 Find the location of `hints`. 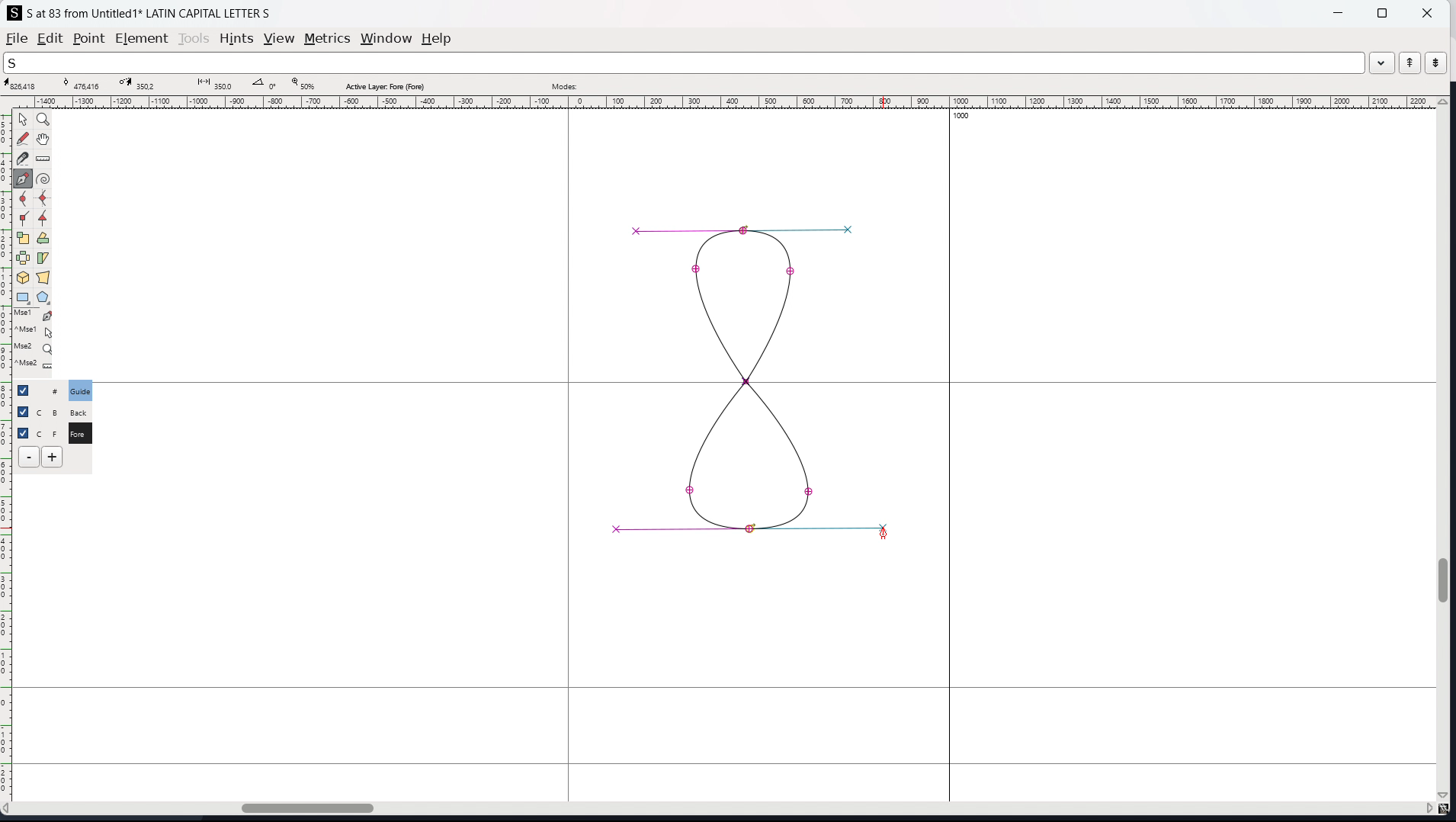

hints is located at coordinates (237, 39).